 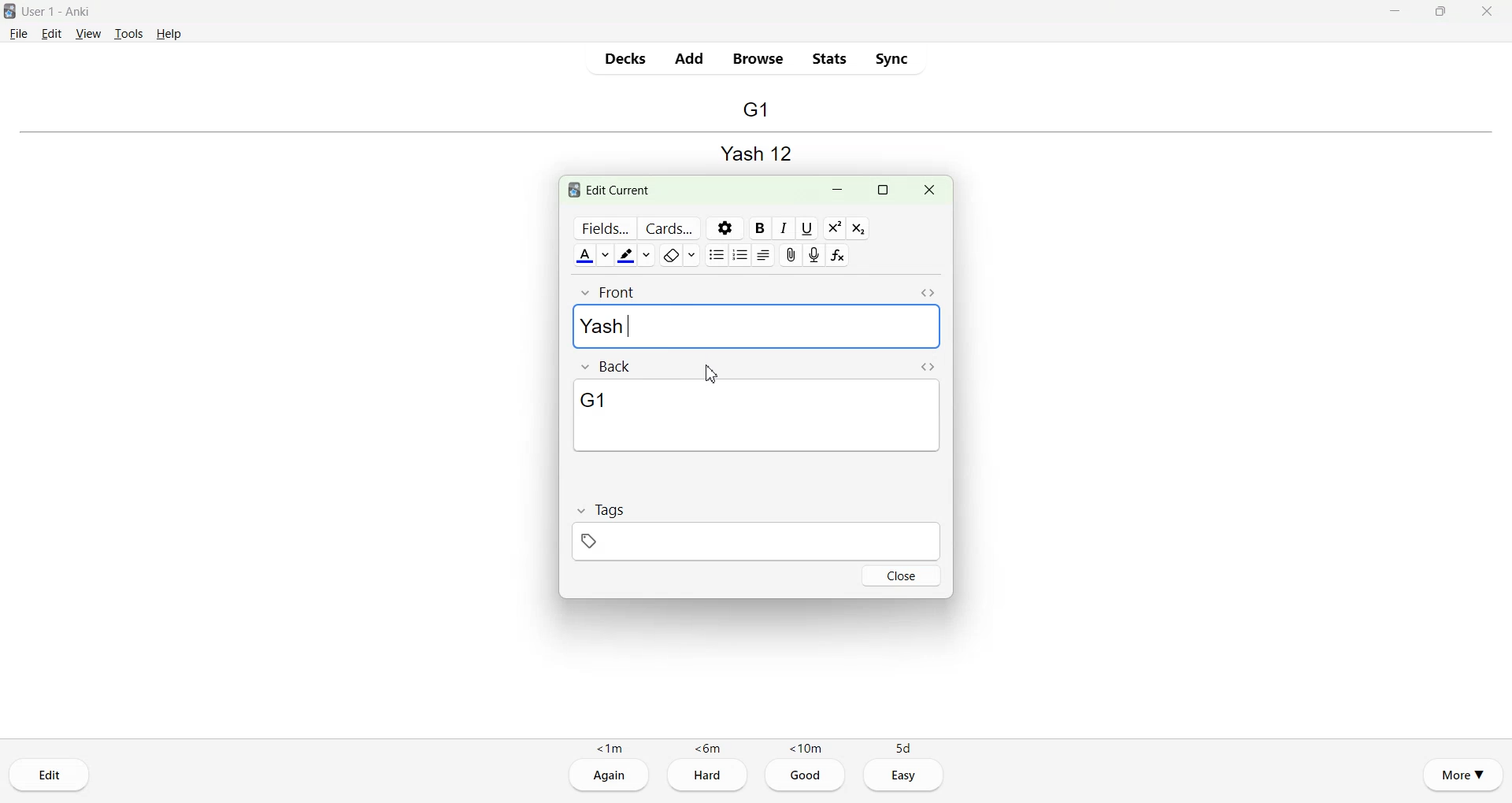 What do you see at coordinates (622, 189) in the screenshot?
I see `Edit Current` at bounding box center [622, 189].